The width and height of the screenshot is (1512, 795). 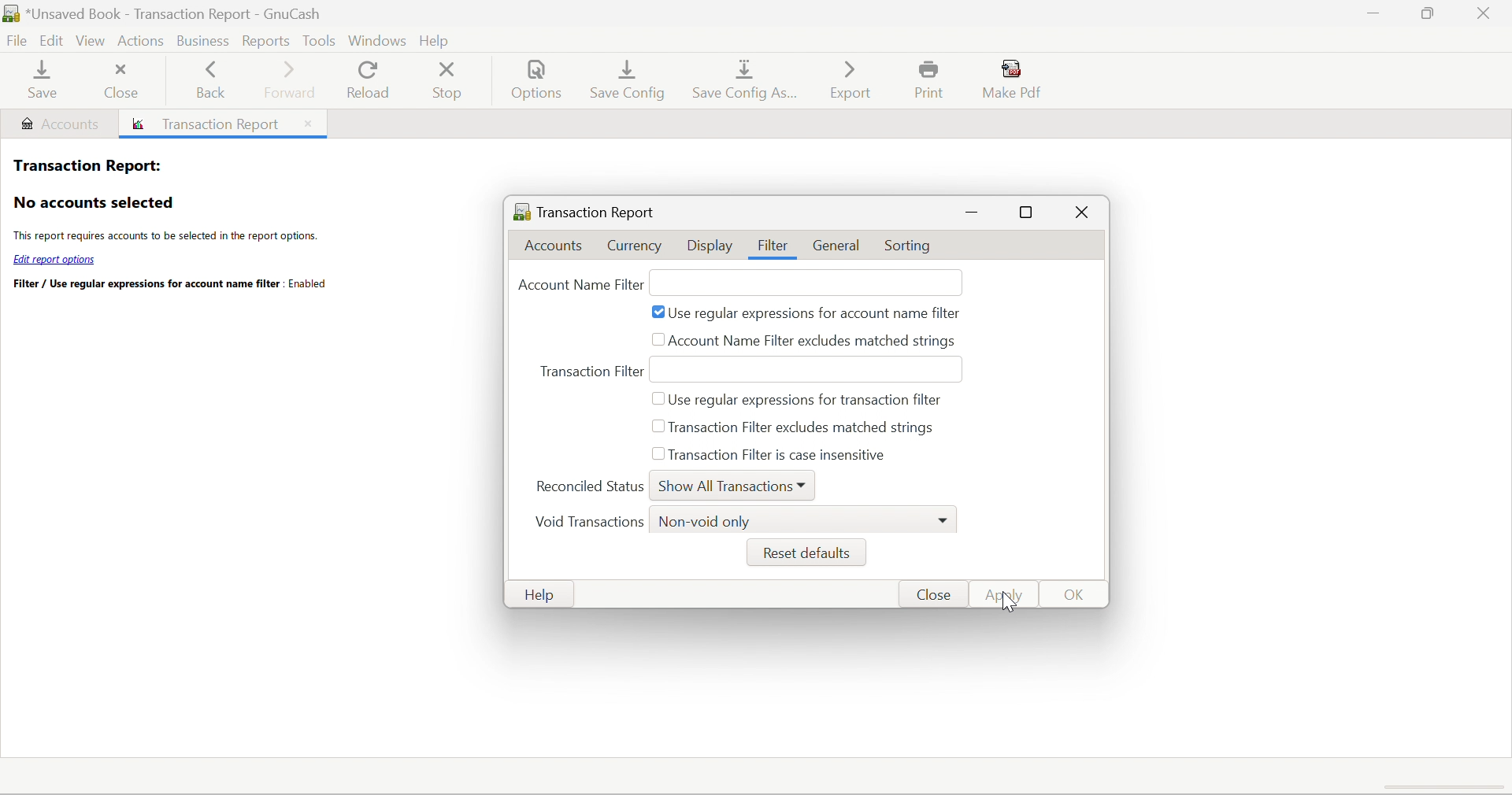 What do you see at coordinates (946, 519) in the screenshot?
I see `Drop Down` at bounding box center [946, 519].